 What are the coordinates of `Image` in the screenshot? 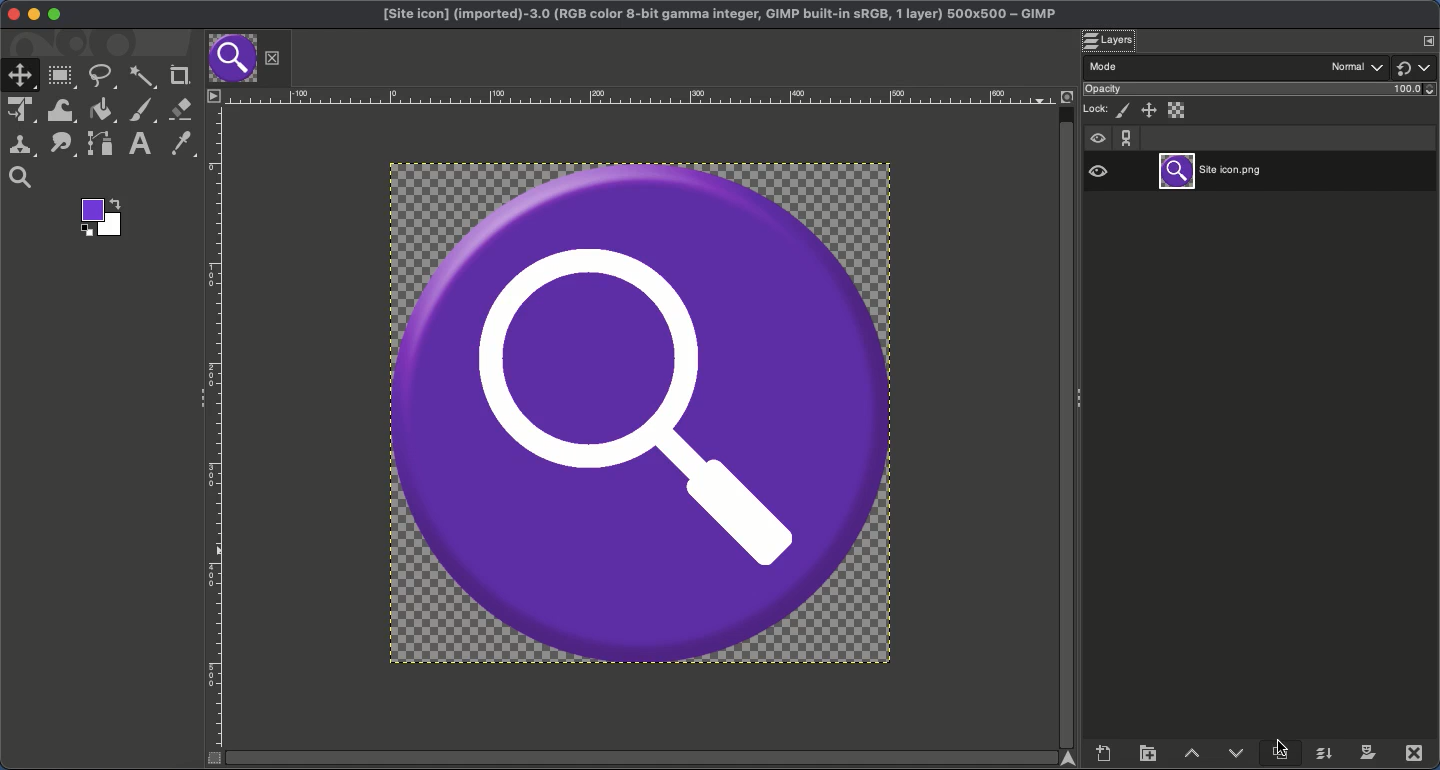 It's located at (643, 414).